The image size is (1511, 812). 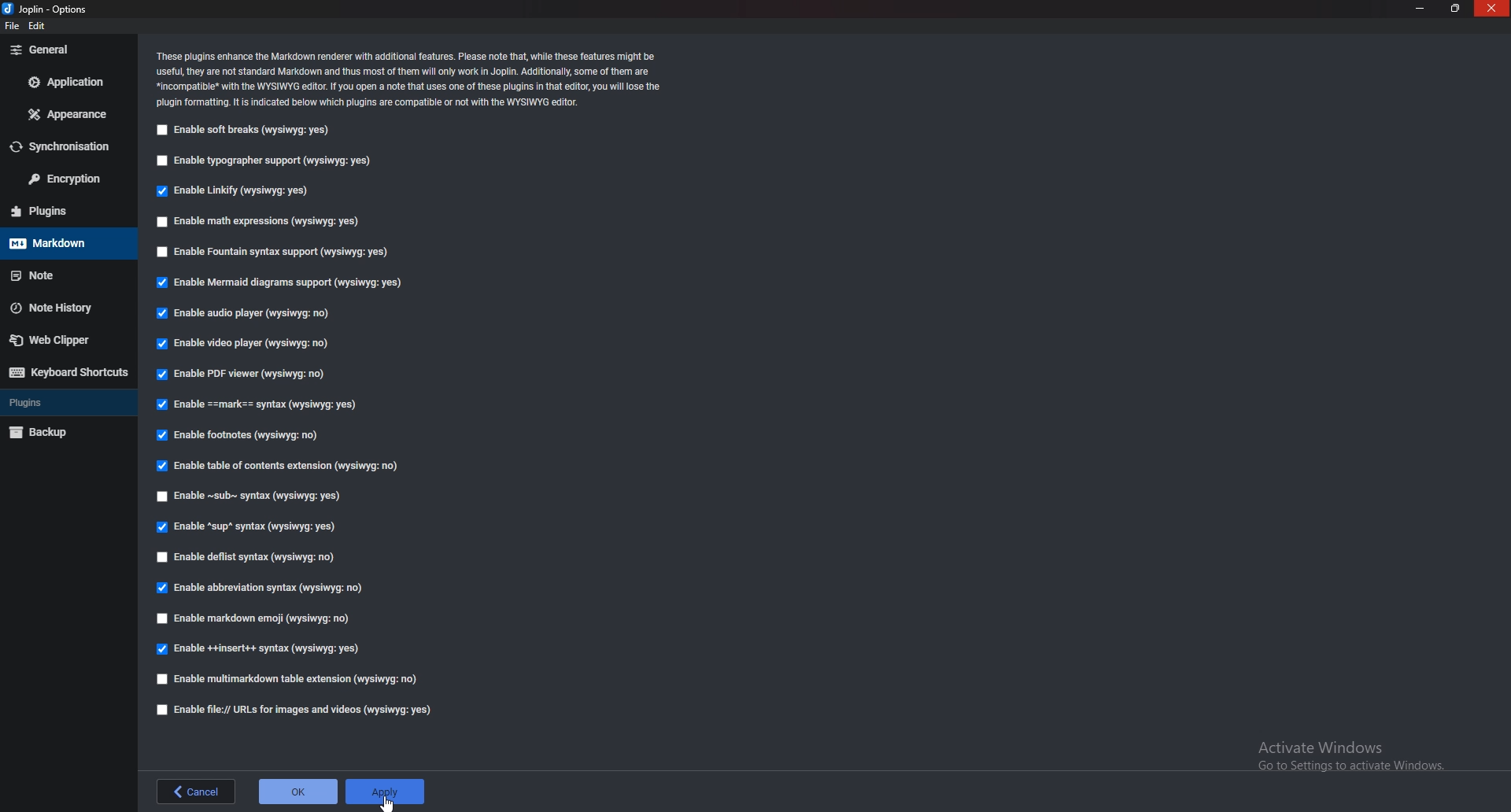 I want to click on Enable math expressions, so click(x=261, y=222).